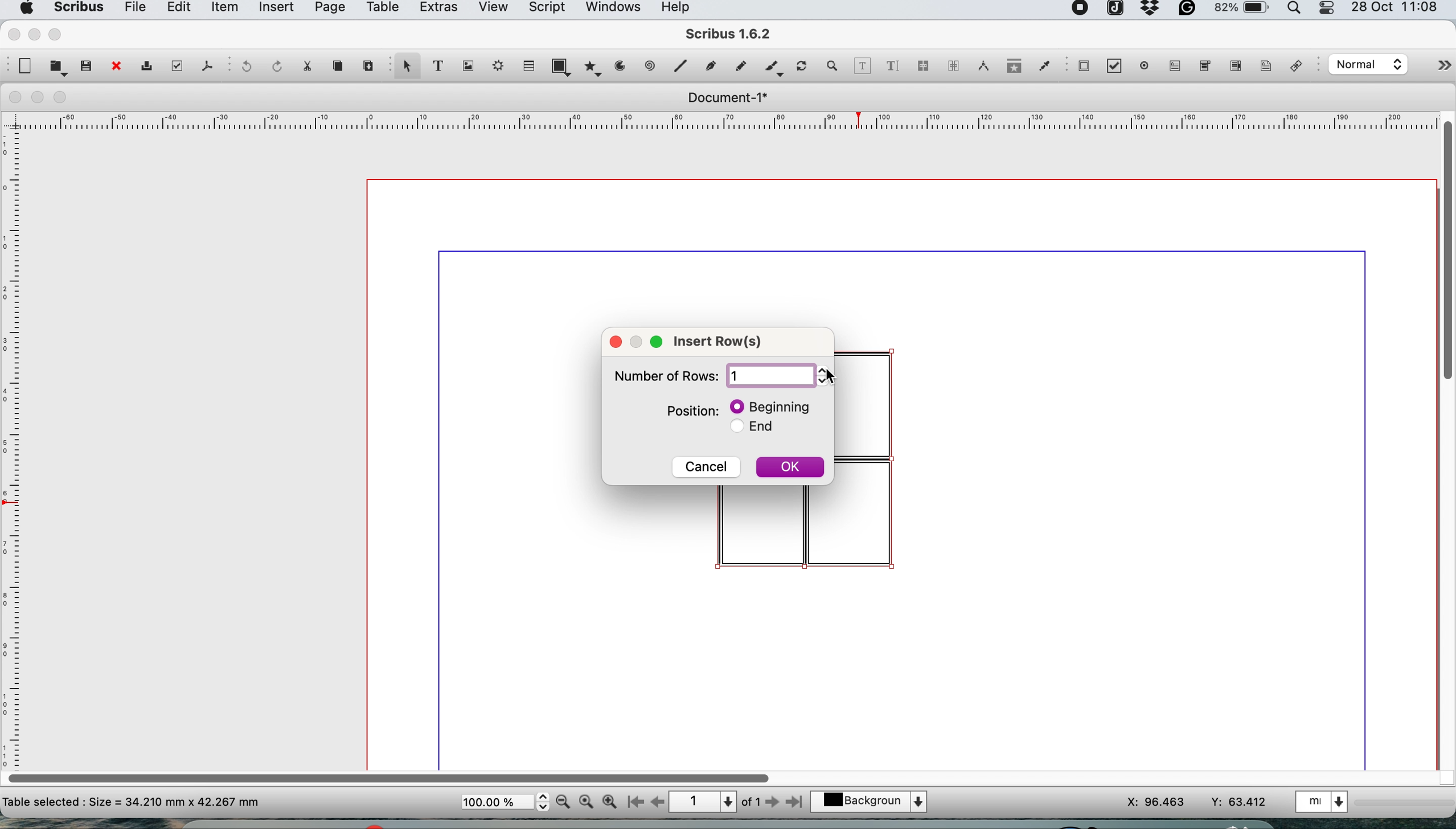  I want to click on insert rows, so click(725, 343).